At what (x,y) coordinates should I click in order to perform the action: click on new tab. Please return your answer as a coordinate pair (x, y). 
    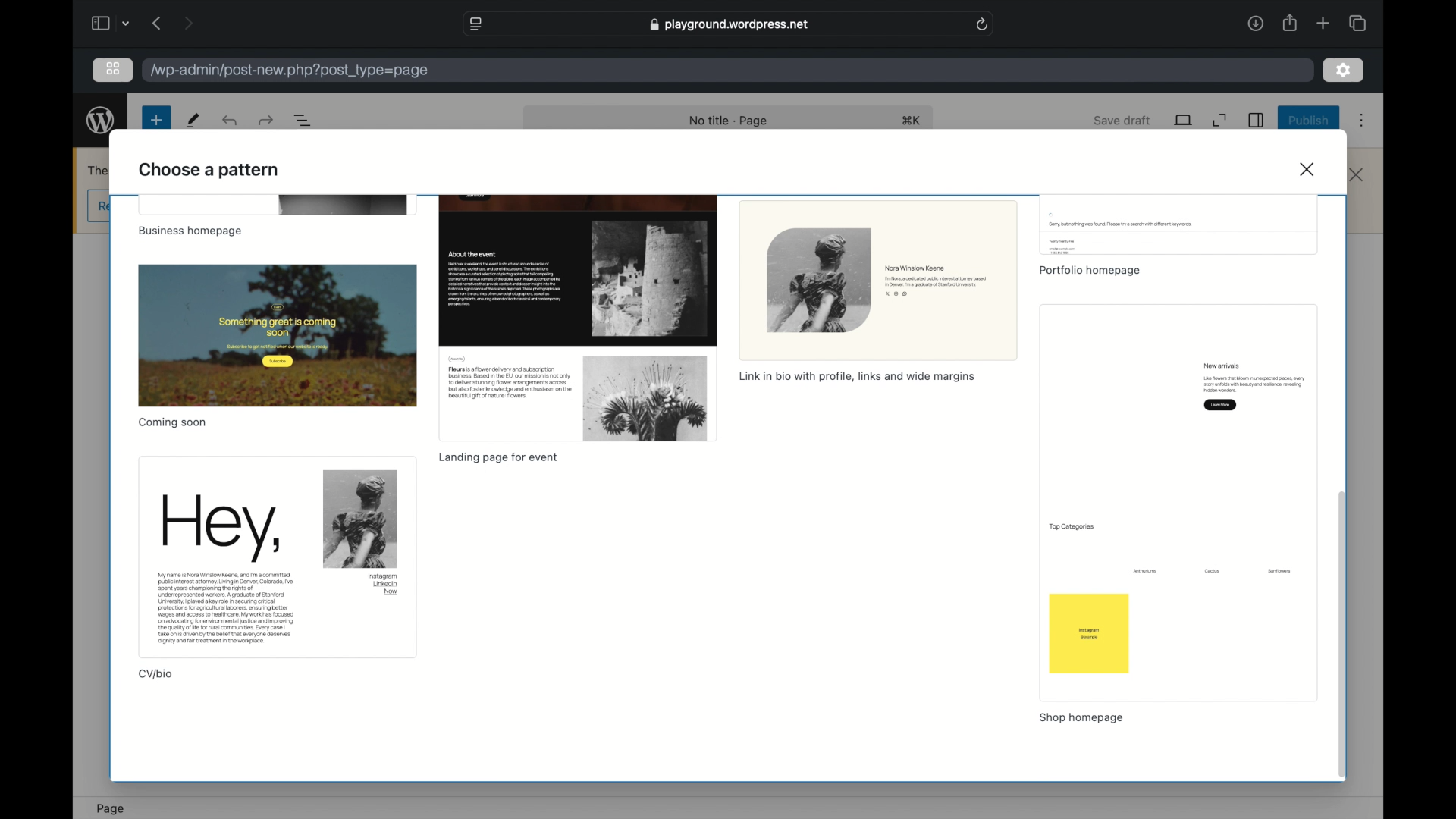
    Looking at the image, I should click on (1323, 23).